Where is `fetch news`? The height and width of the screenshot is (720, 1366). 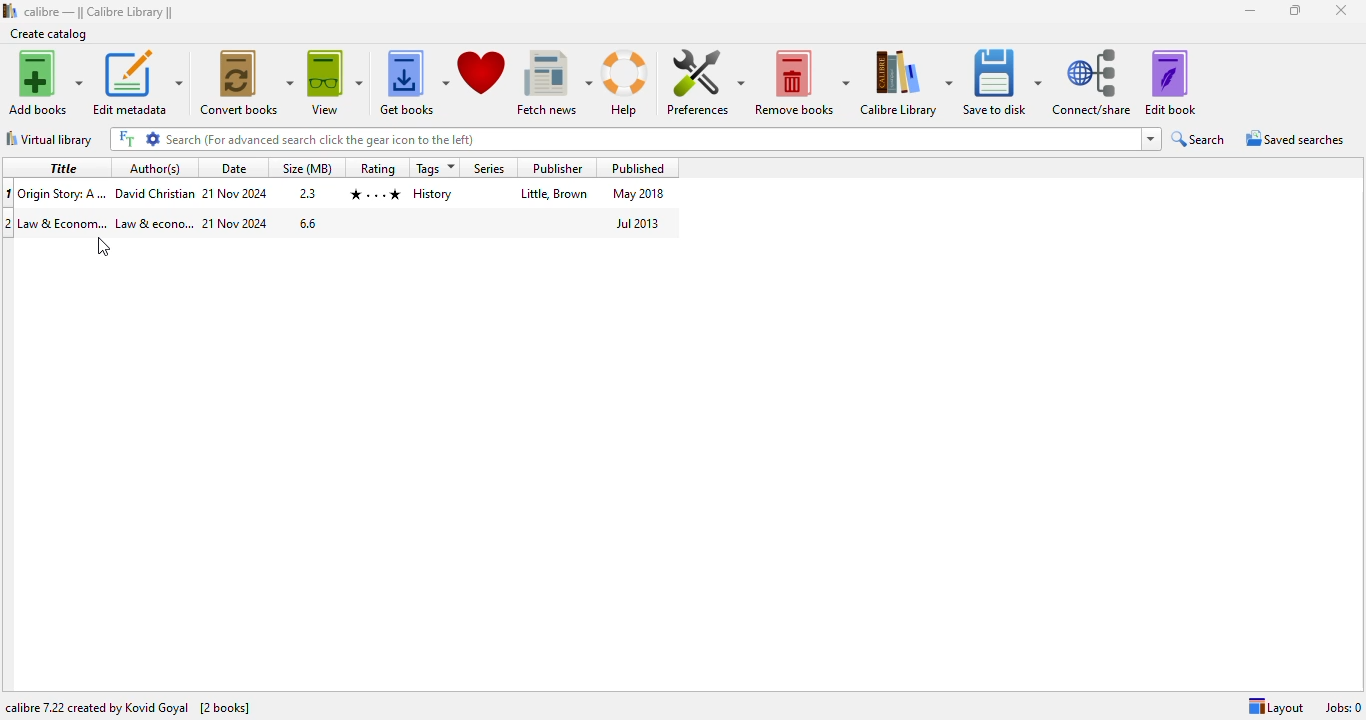
fetch news is located at coordinates (554, 83).